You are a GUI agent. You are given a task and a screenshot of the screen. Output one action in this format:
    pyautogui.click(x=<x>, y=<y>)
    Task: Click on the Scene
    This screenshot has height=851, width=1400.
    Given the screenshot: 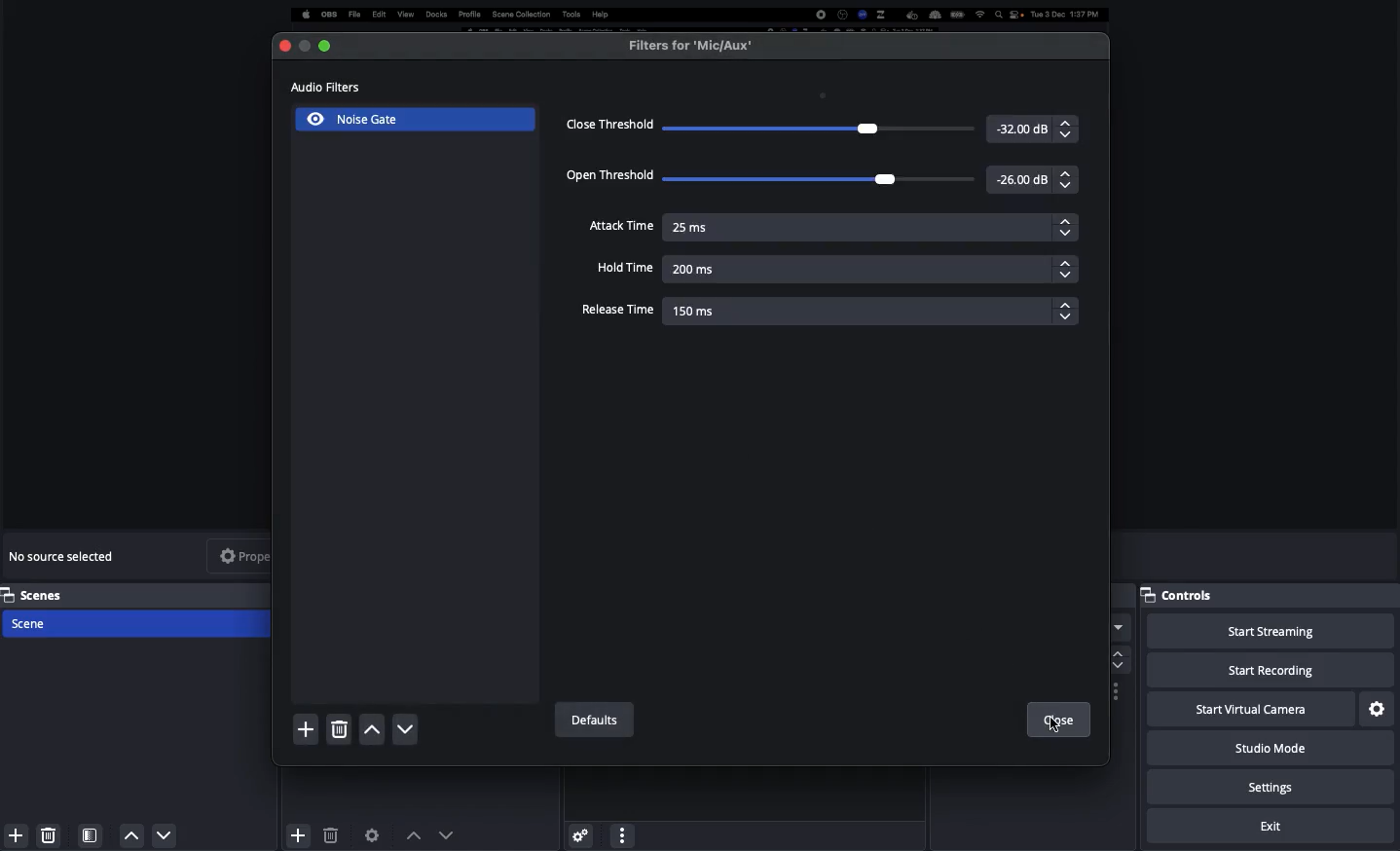 What is the action you would take?
    pyautogui.click(x=139, y=625)
    